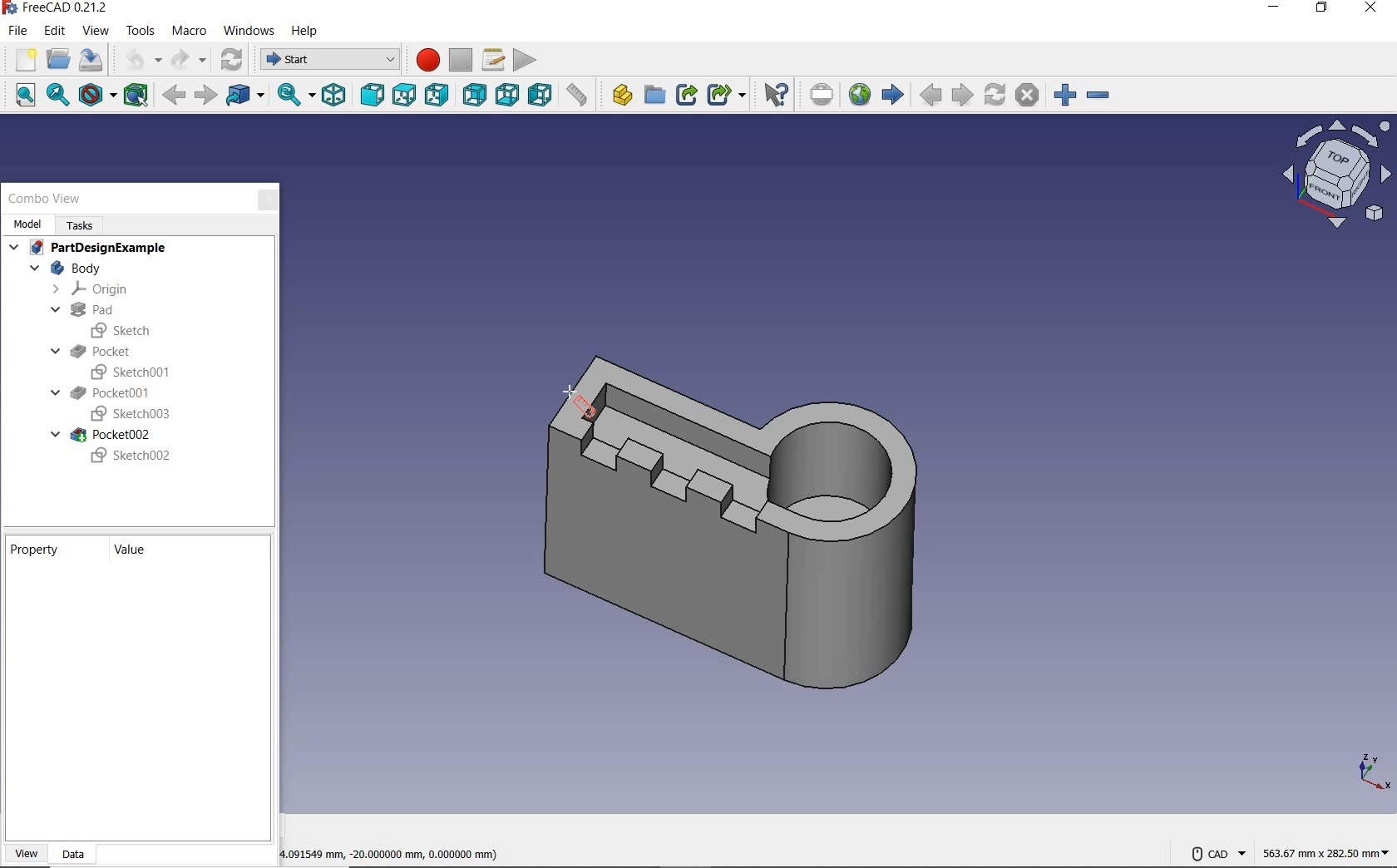  Describe the element at coordinates (437, 94) in the screenshot. I see `right` at that location.